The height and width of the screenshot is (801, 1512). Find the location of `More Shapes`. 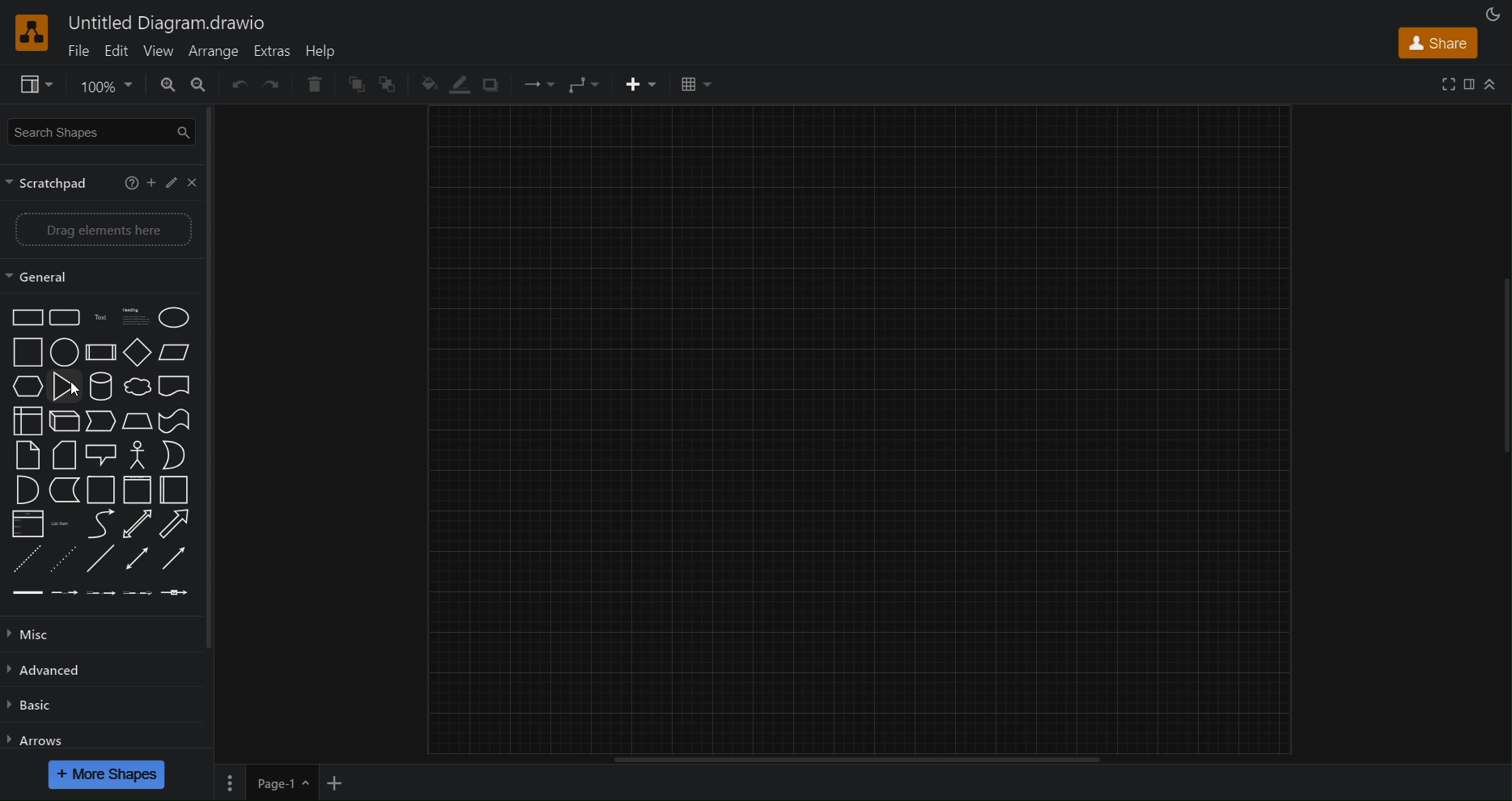

More Shapes is located at coordinates (107, 774).